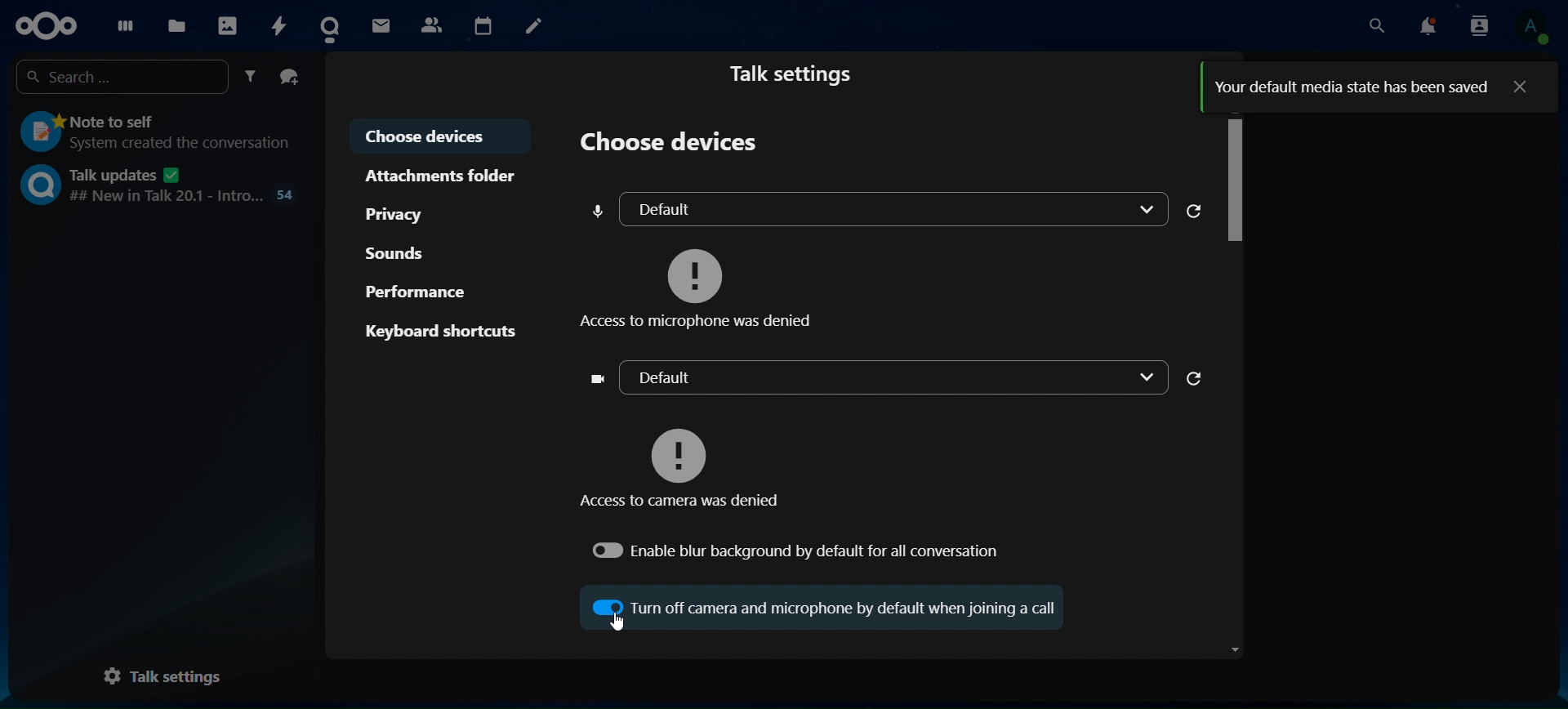  What do you see at coordinates (251, 77) in the screenshot?
I see `filter` at bounding box center [251, 77].